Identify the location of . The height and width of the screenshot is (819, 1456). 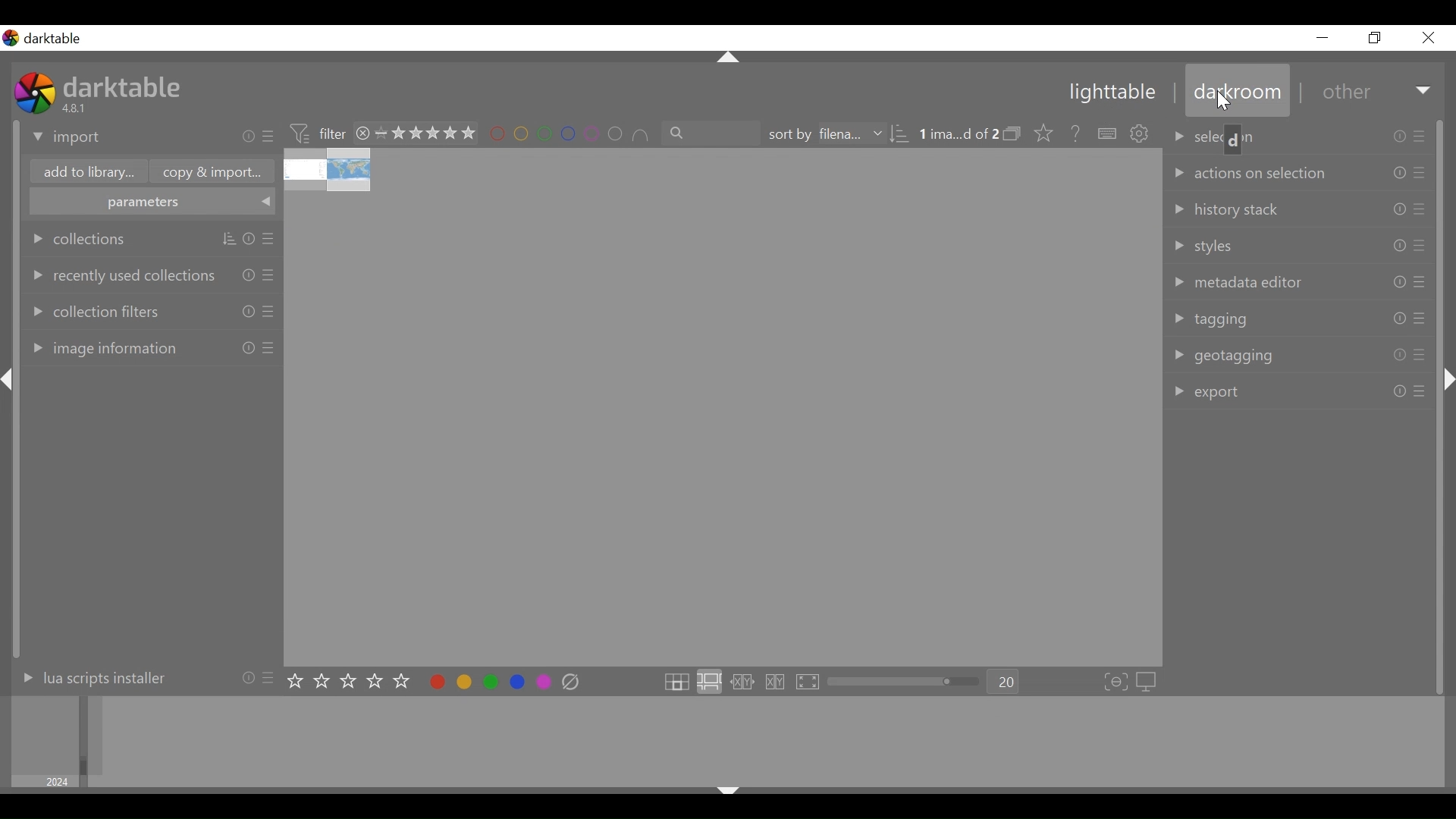
(247, 276).